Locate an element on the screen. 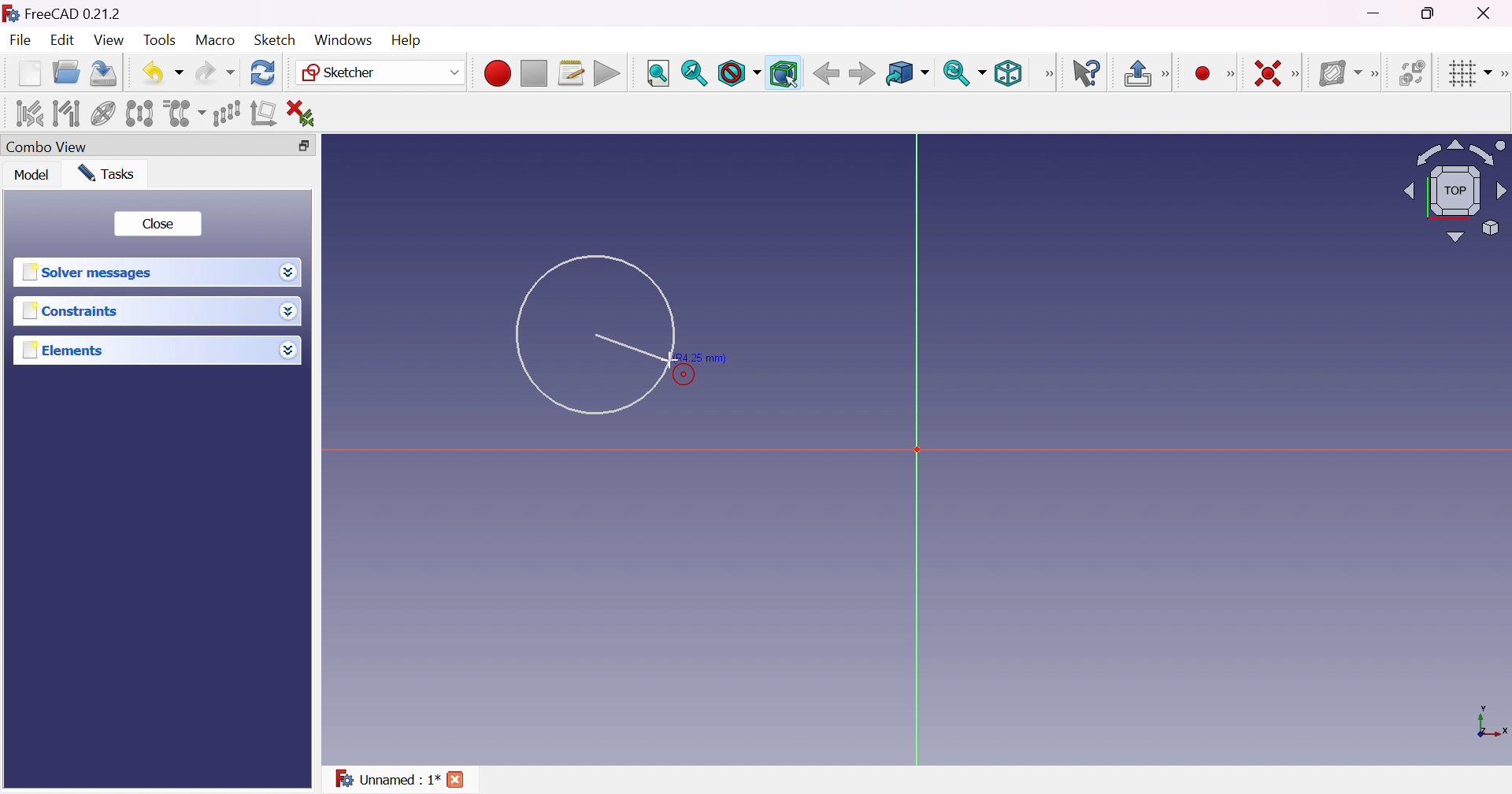 The width and height of the screenshot is (1512, 794). Help is located at coordinates (404, 40).